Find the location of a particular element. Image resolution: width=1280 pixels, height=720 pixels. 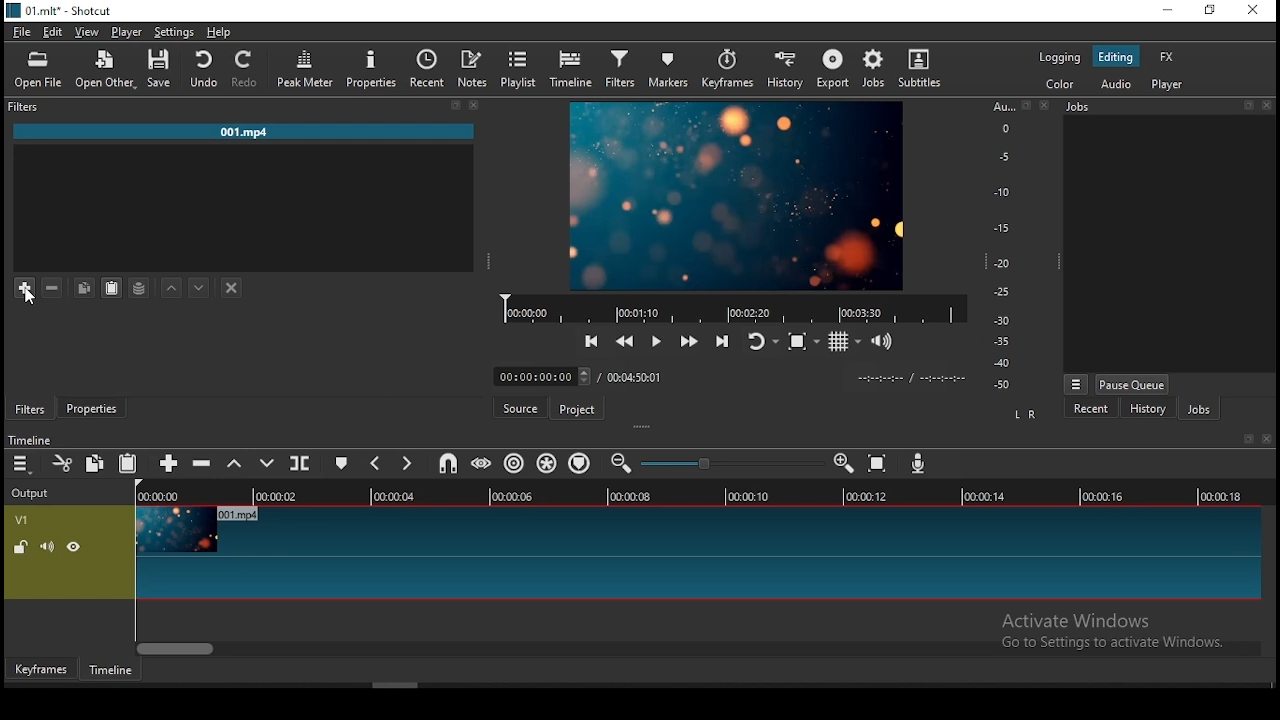

filters is located at coordinates (23, 108).